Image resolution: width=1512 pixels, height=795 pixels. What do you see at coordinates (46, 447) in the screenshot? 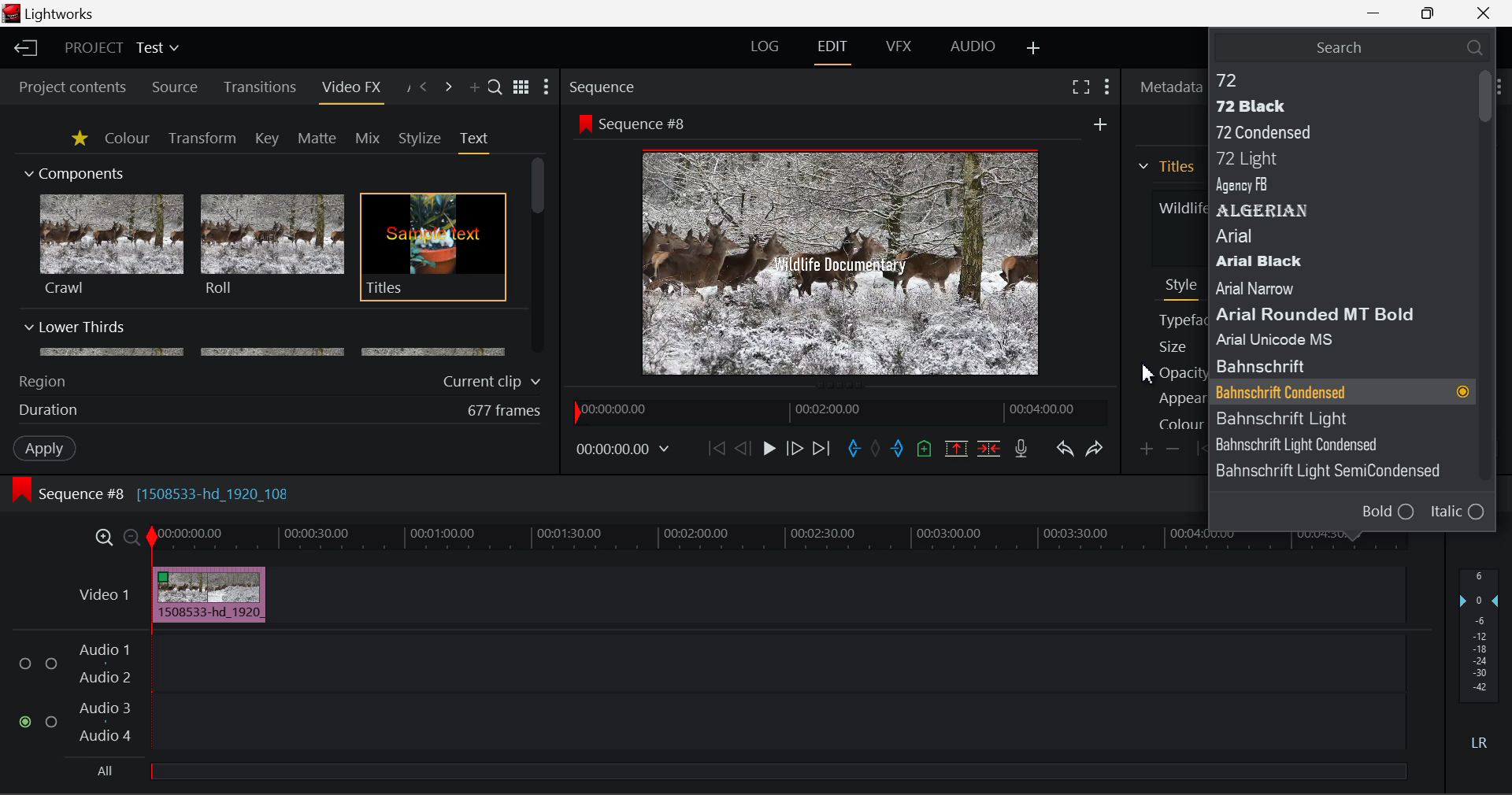
I see `Apply` at bounding box center [46, 447].